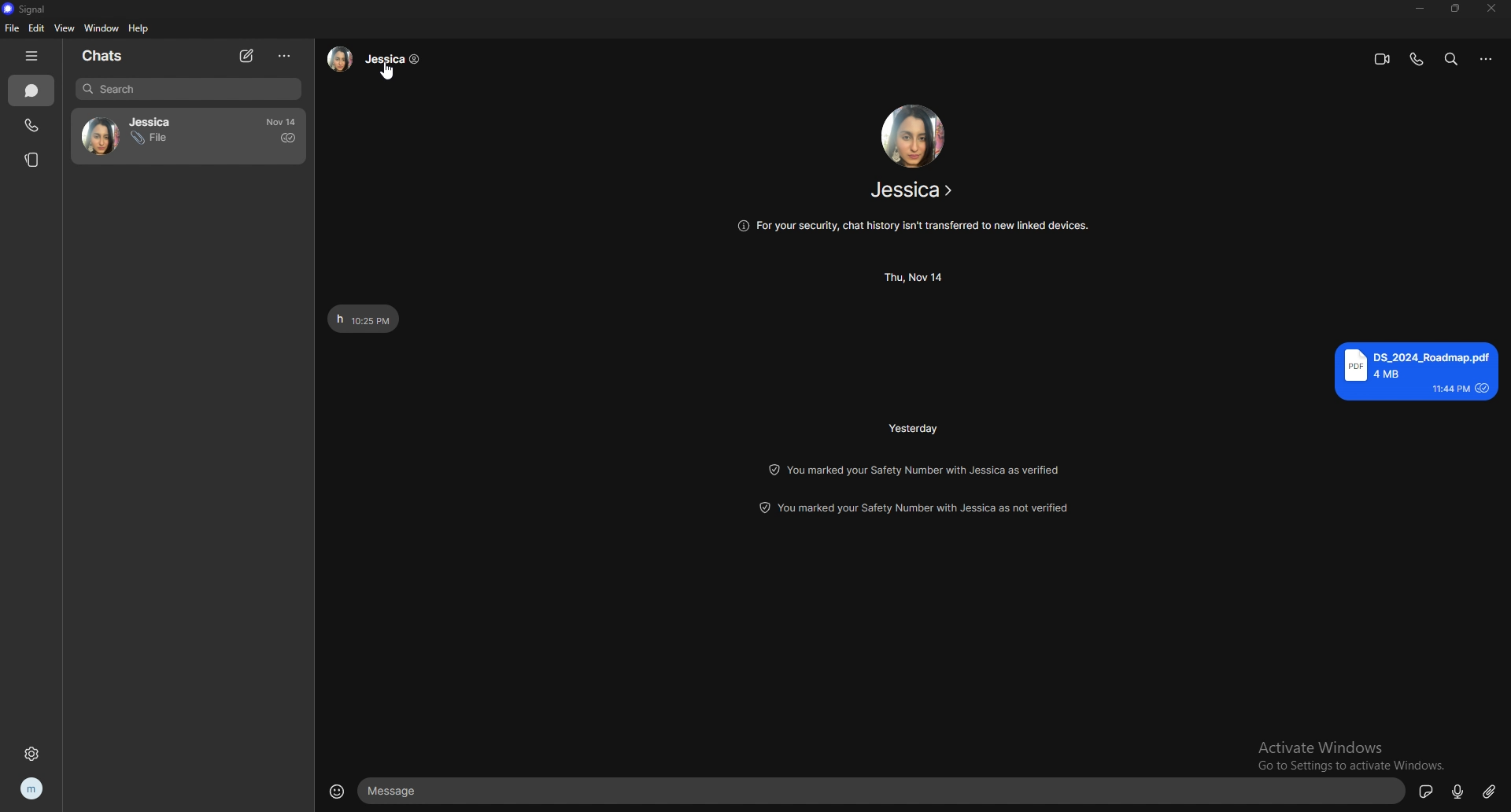 Image resolution: width=1511 pixels, height=812 pixels. Describe the element at coordinates (1424, 791) in the screenshot. I see `sticker` at that location.